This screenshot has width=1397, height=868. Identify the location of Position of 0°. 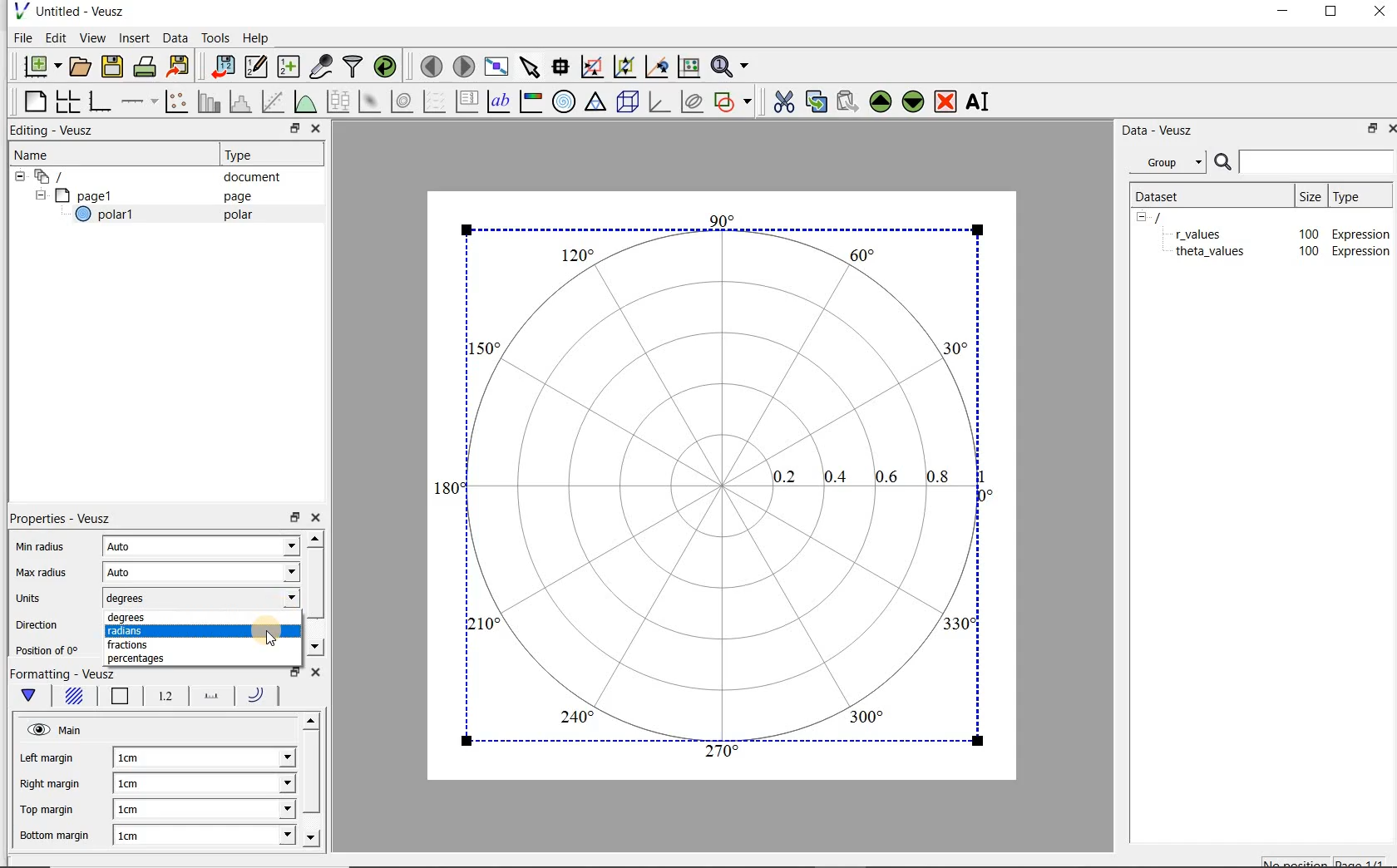
(52, 649).